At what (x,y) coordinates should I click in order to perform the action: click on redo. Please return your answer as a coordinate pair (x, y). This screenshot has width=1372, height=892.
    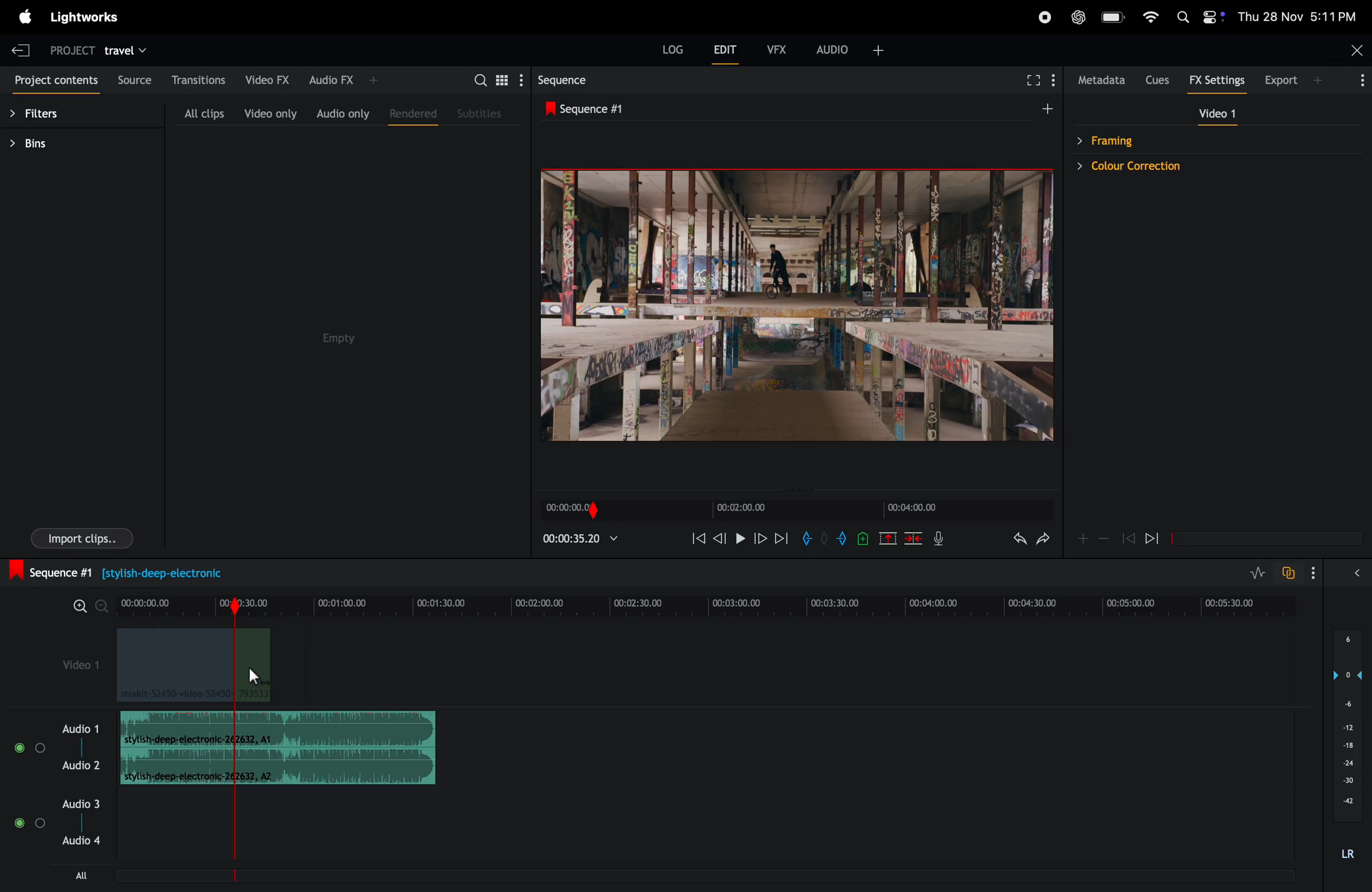
    Looking at the image, I should click on (1044, 542).